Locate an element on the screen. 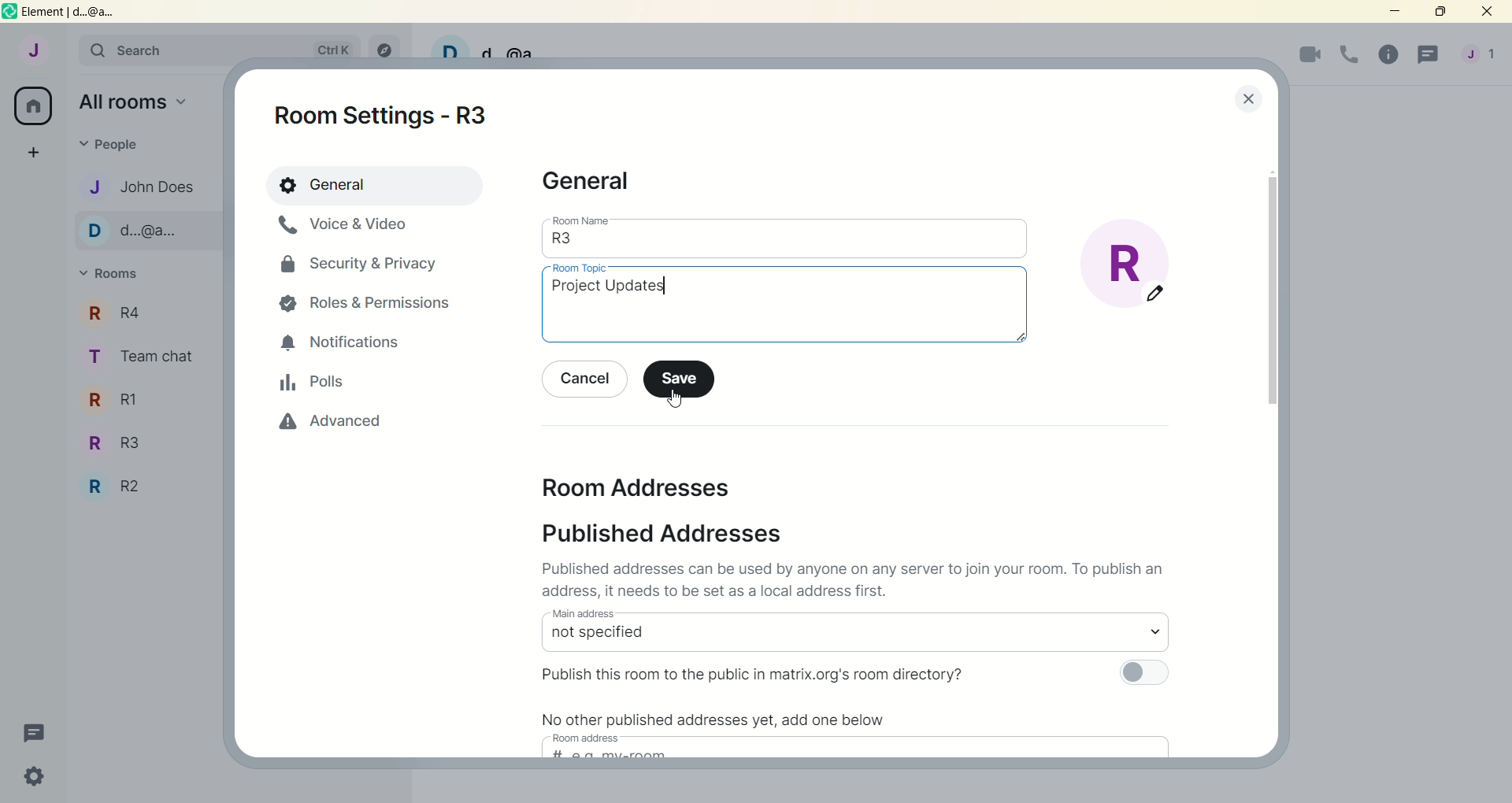  advanced is located at coordinates (332, 420).